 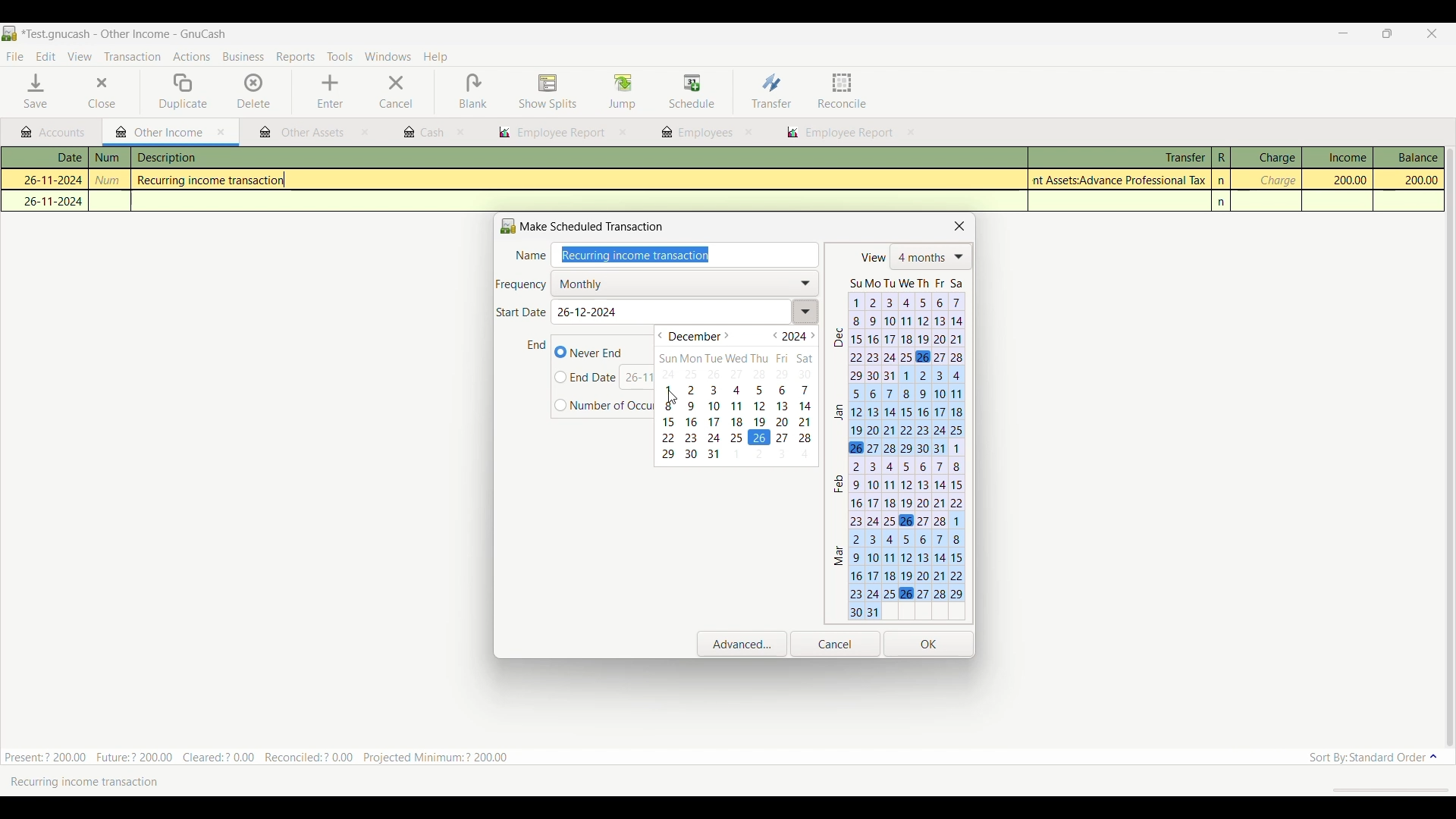 What do you see at coordinates (871, 258) in the screenshot?
I see `view` at bounding box center [871, 258].